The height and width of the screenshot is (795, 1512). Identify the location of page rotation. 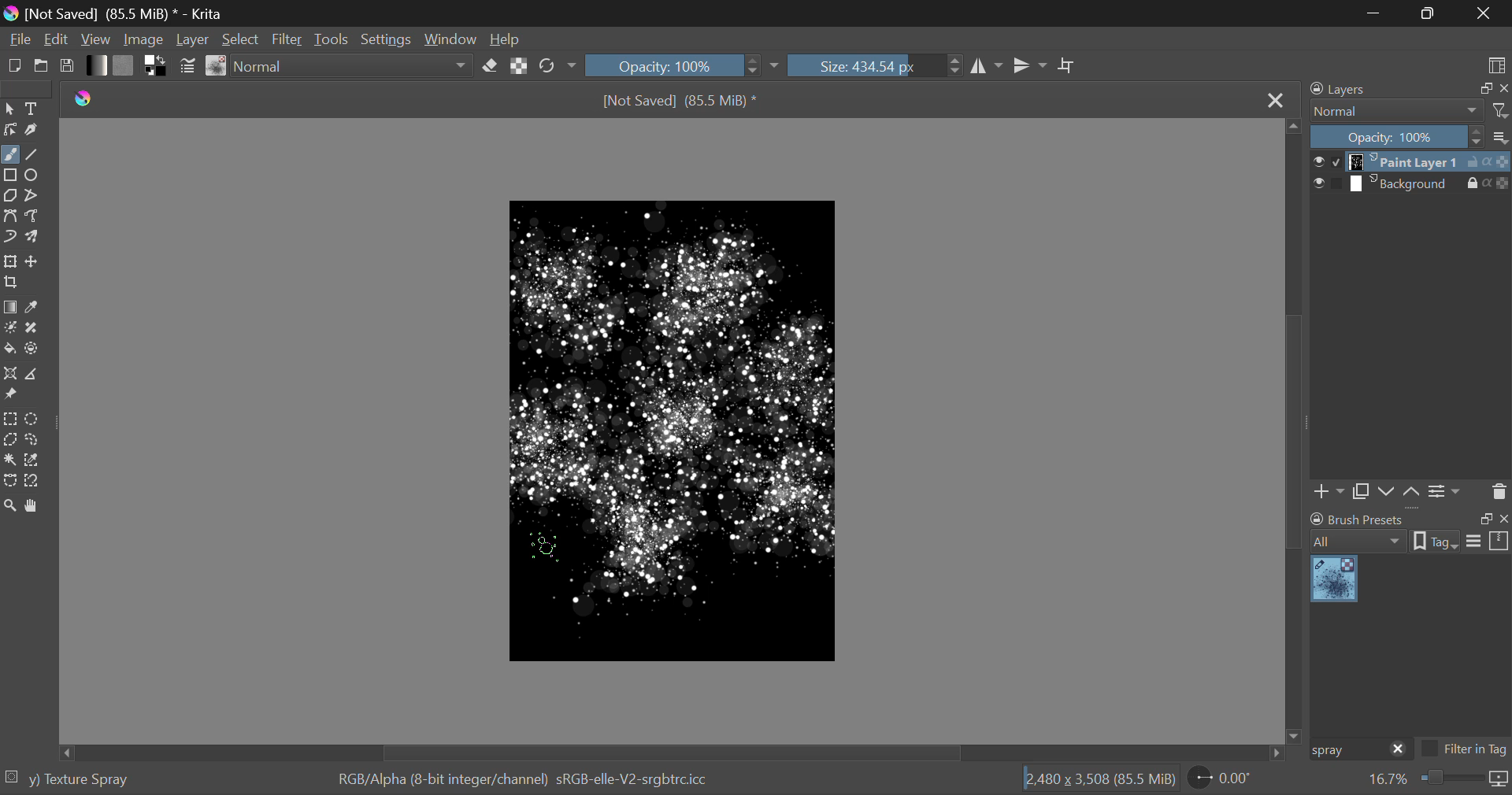
(1221, 777).